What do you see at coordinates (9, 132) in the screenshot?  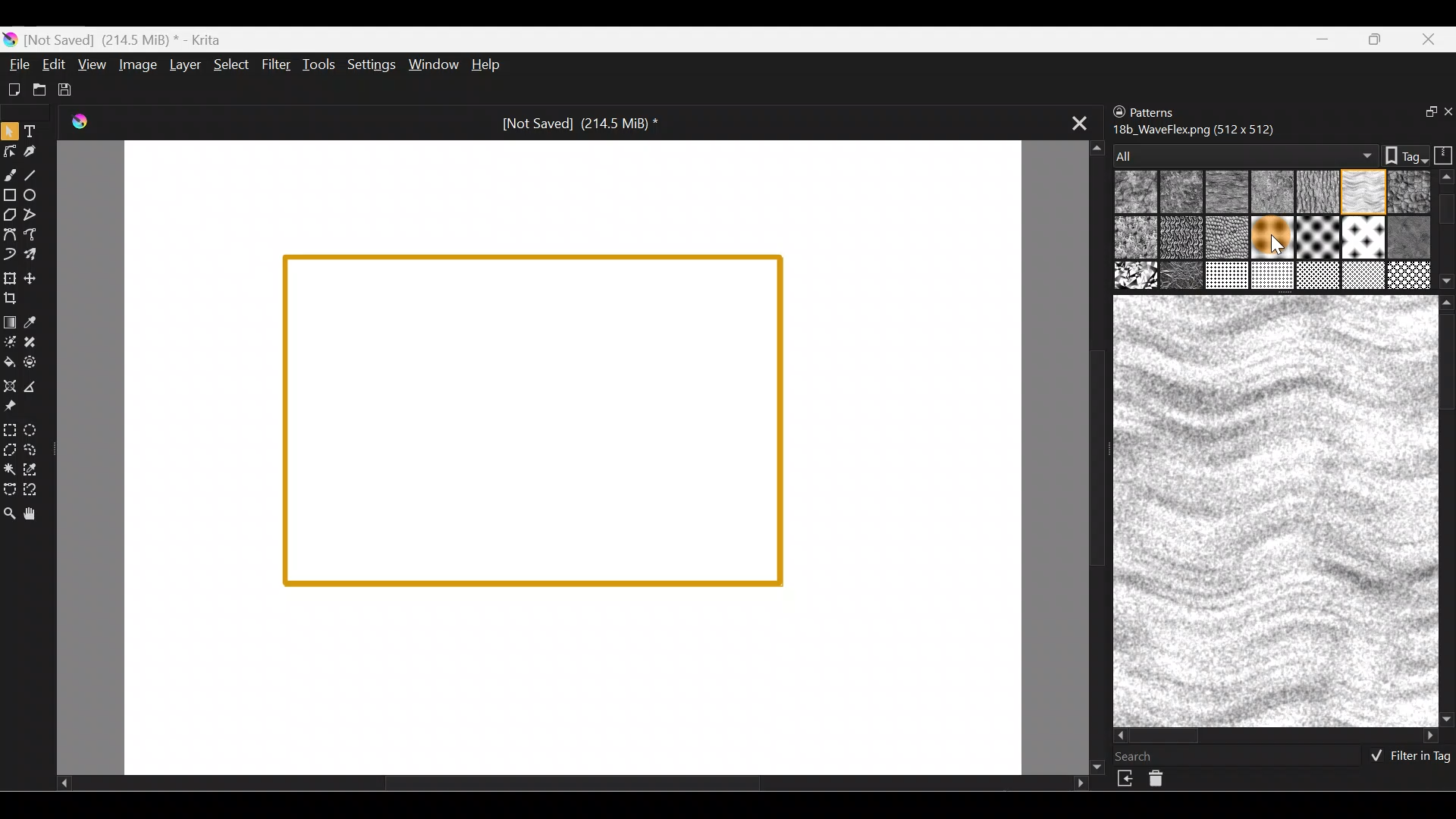 I see `Select shapes` at bounding box center [9, 132].